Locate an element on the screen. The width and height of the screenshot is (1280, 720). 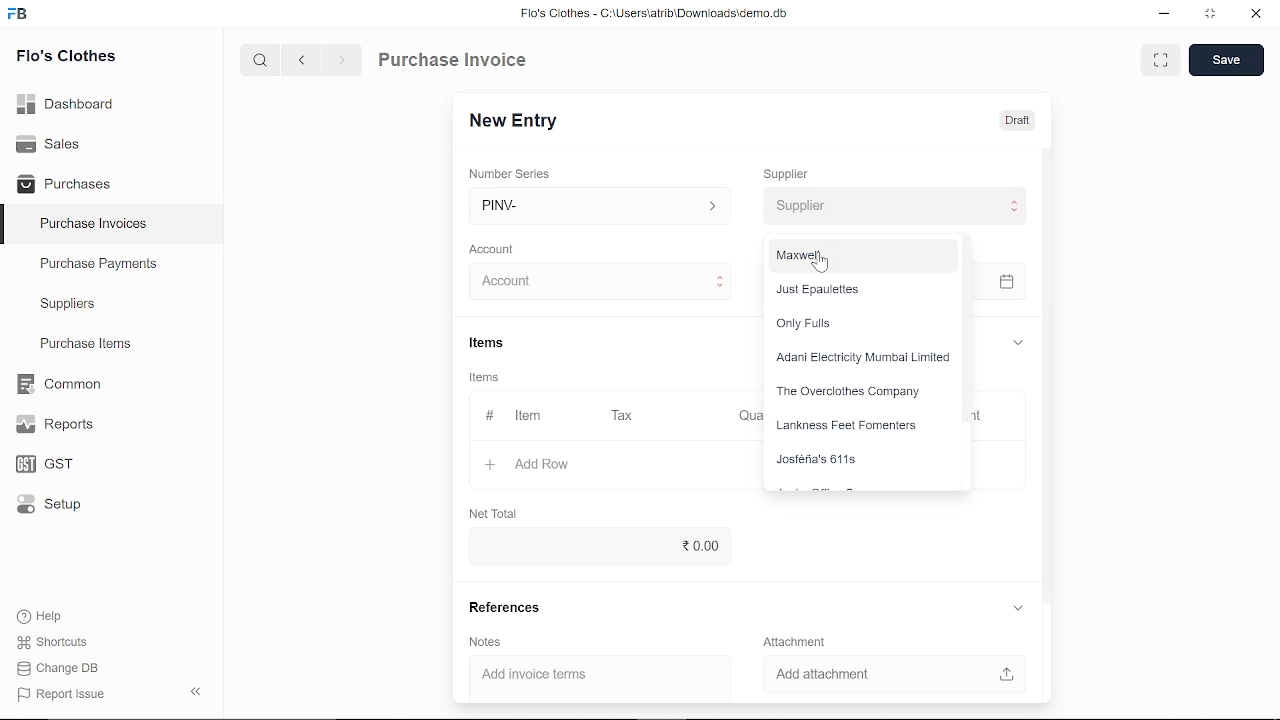
full view is located at coordinates (1162, 60).